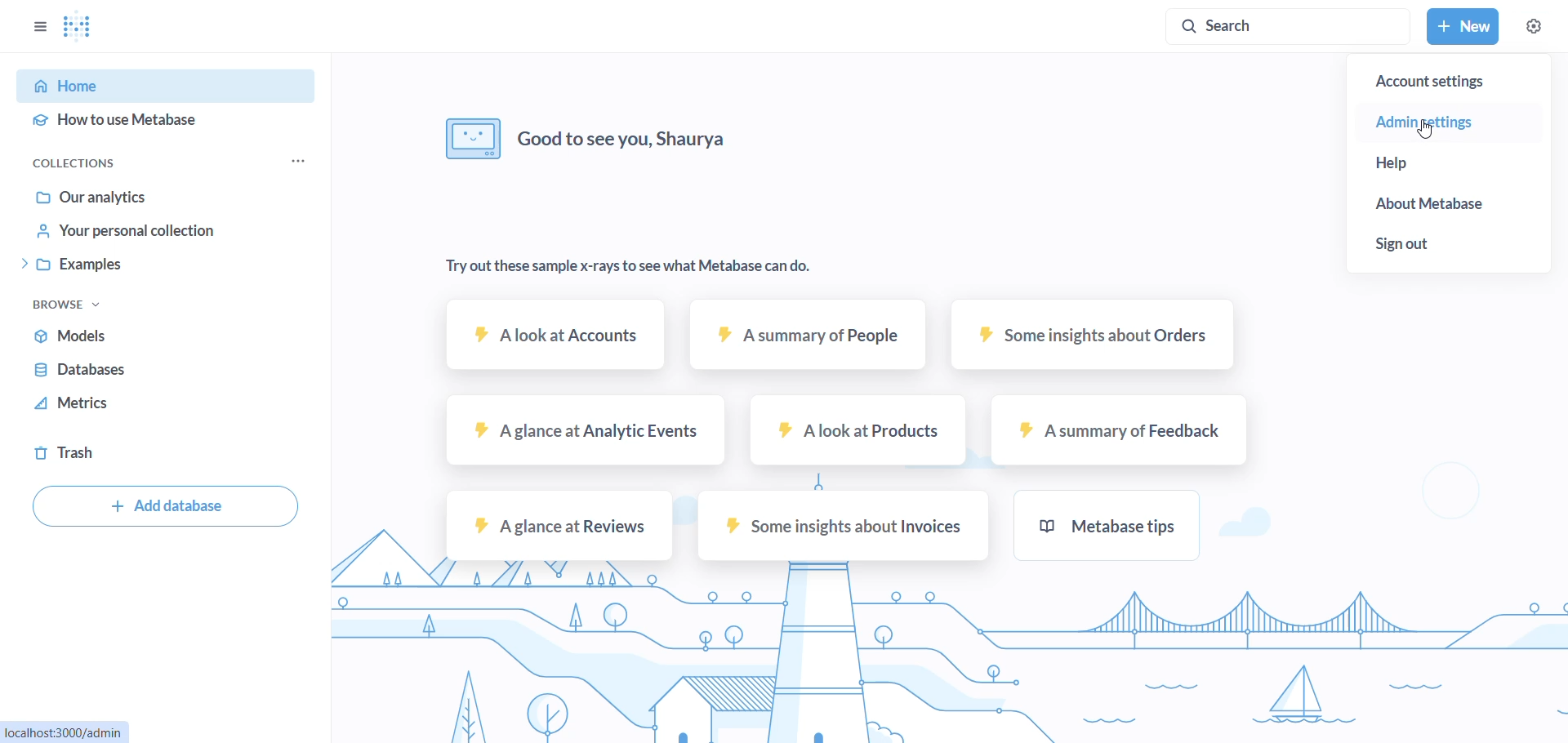 The height and width of the screenshot is (743, 1568). Describe the element at coordinates (579, 429) in the screenshot. I see `A glance at analytic events` at that location.